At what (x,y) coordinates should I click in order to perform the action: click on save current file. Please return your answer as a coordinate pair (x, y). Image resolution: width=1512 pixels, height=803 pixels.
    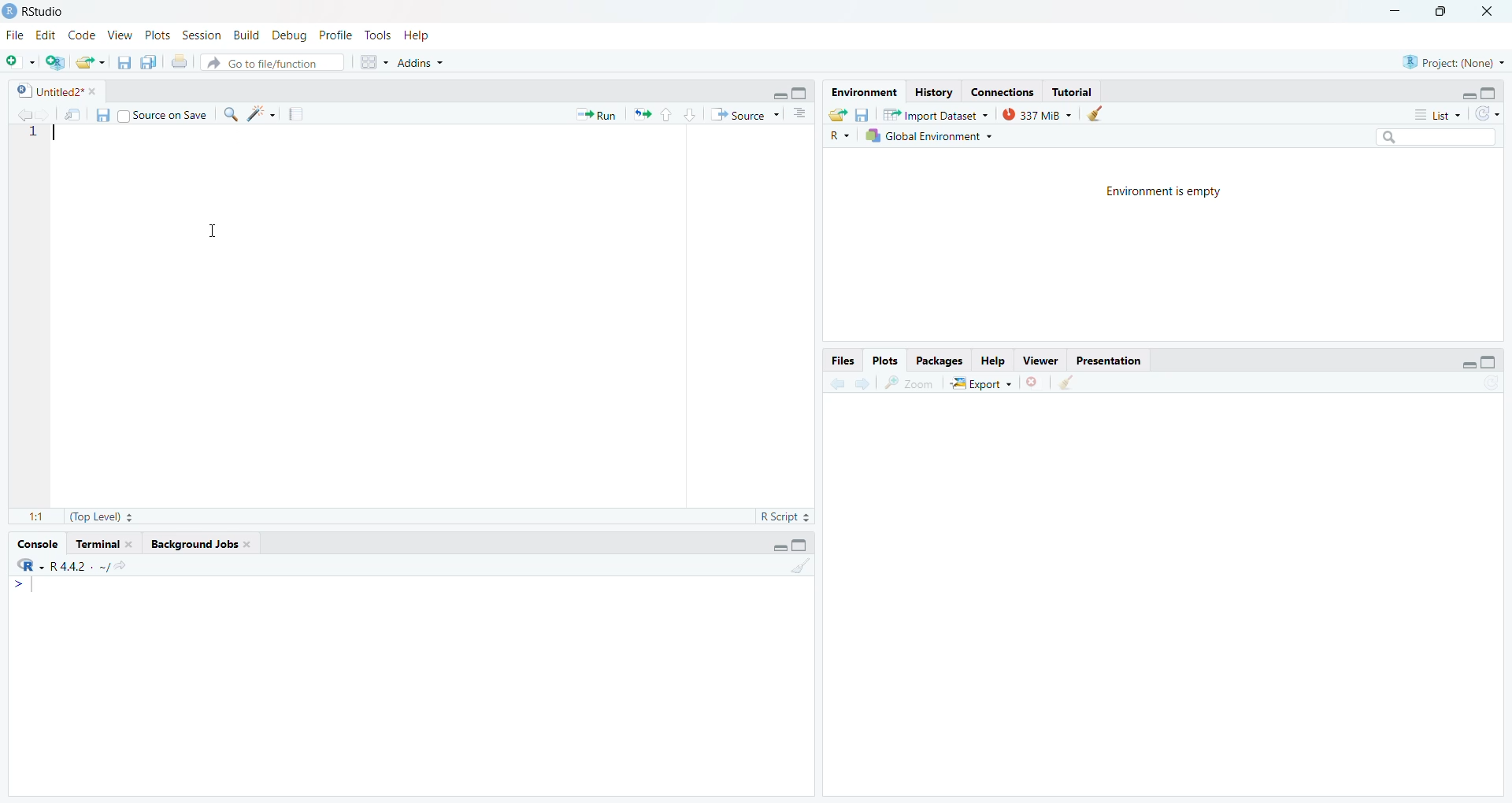
    Looking at the image, I should click on (101, 115).